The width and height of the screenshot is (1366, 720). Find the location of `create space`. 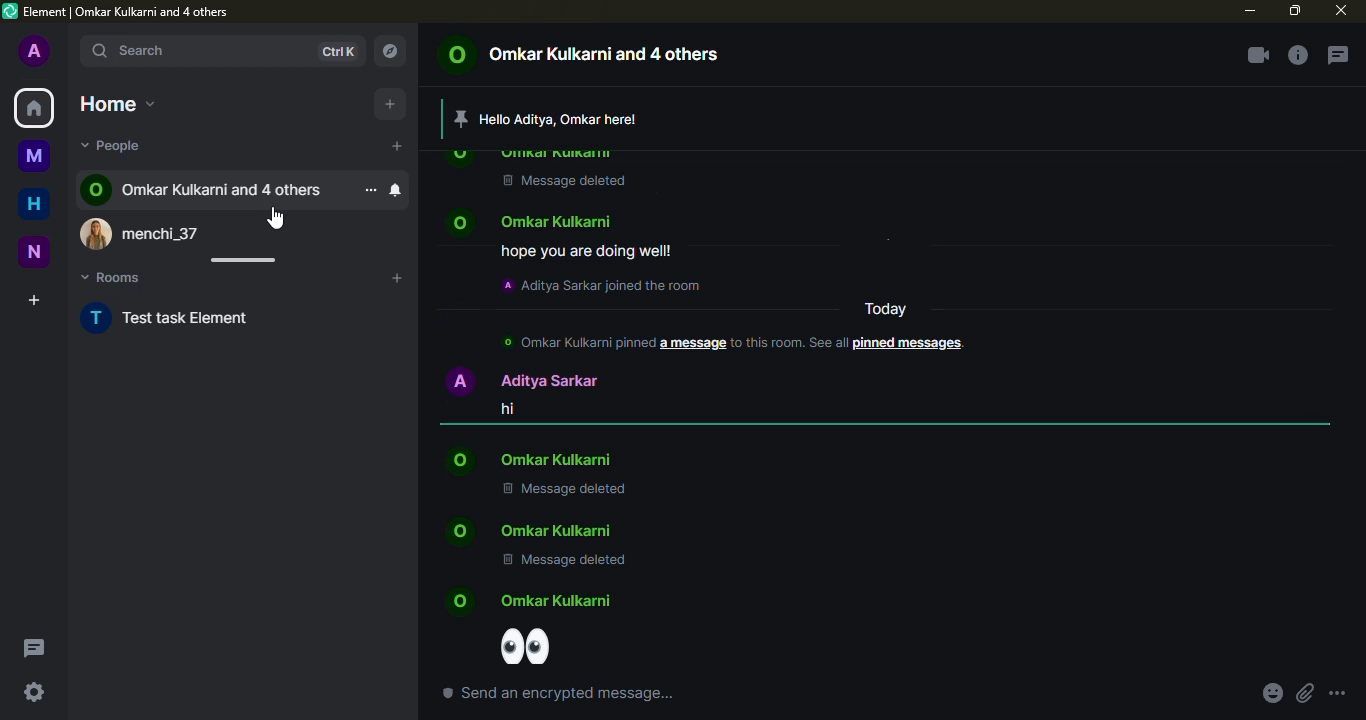

create space is located at coordinates (34, 300).